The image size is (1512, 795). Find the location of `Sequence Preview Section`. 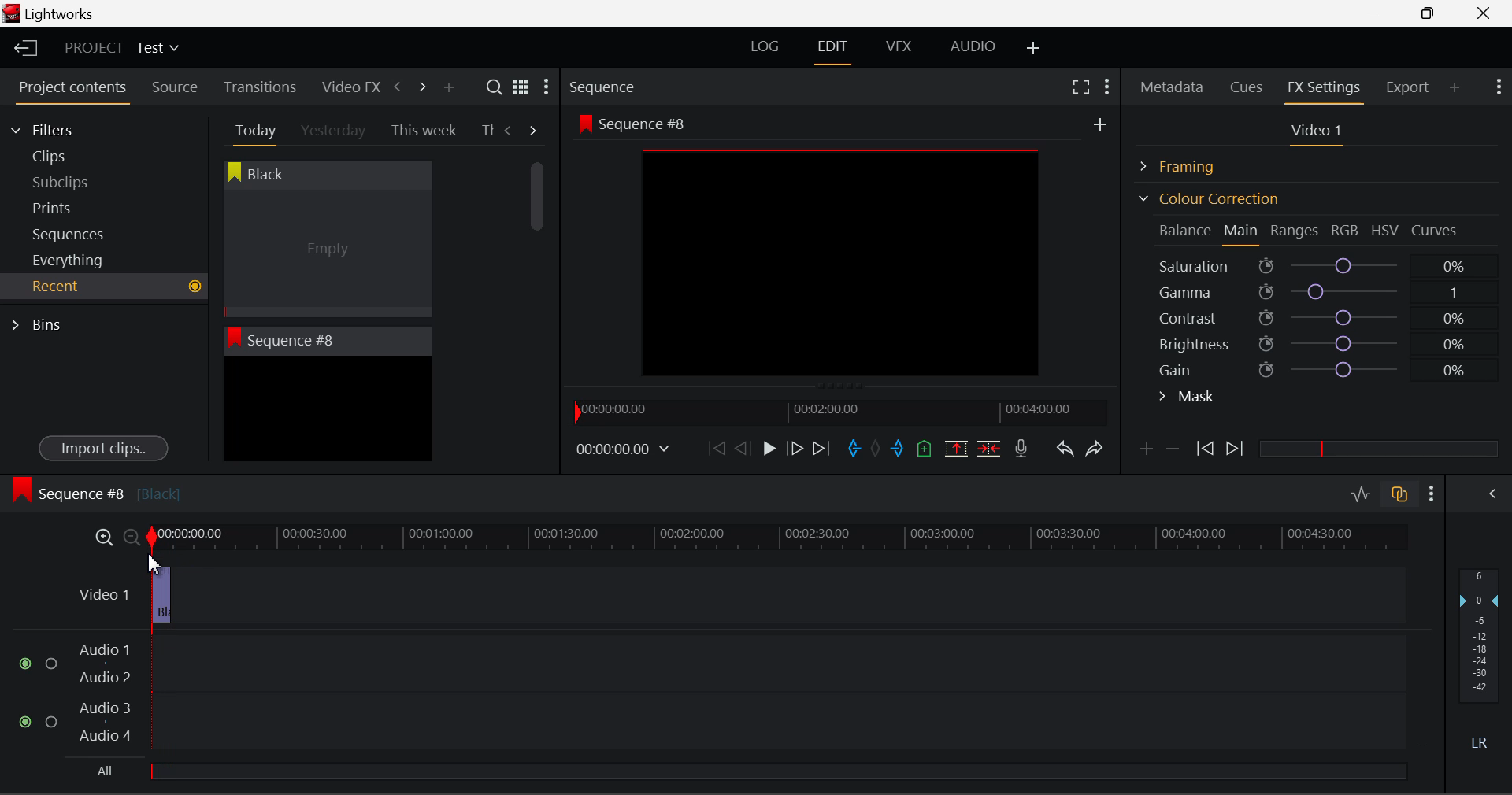

Sequence Preview Section is located at coordinates (606, 88).